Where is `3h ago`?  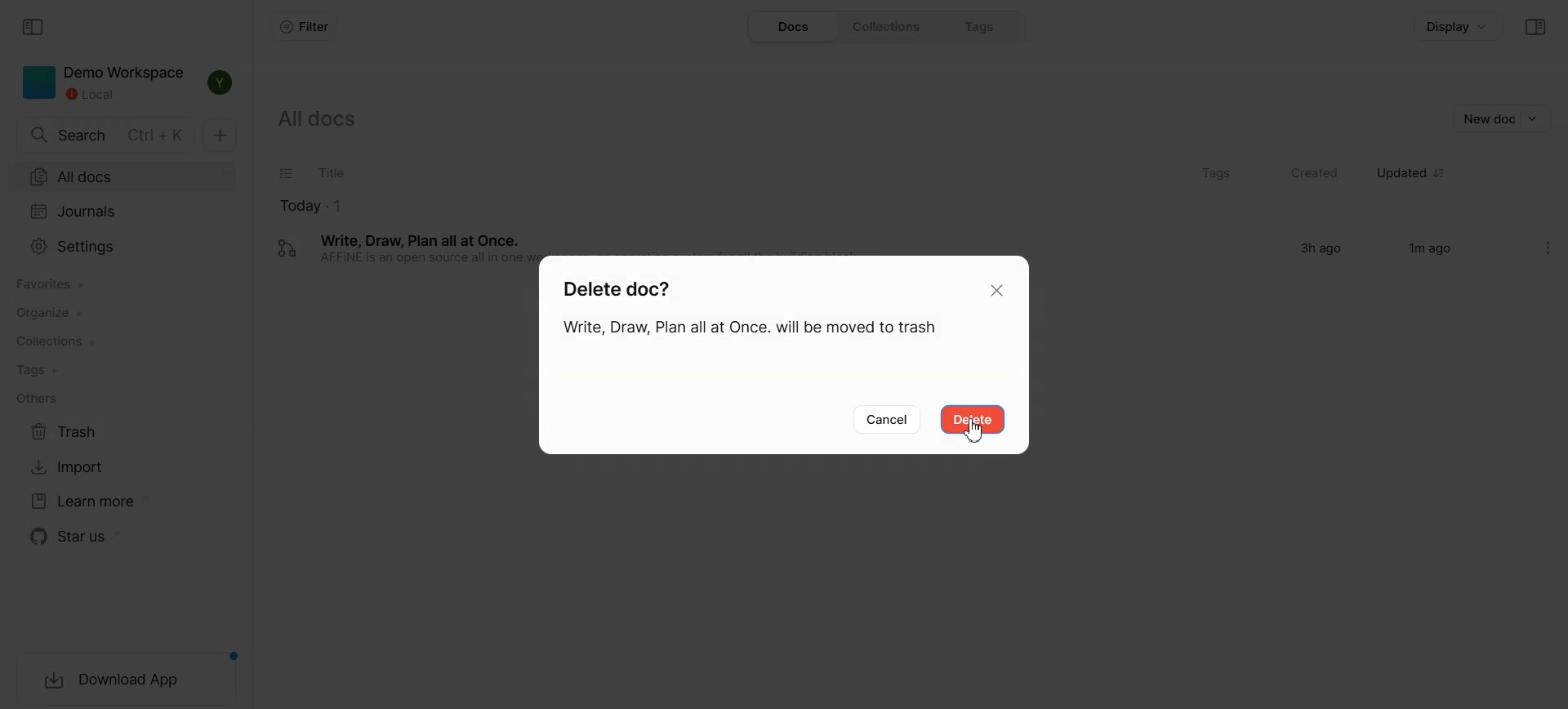
3h ago is located at coordinates (1321, 250).